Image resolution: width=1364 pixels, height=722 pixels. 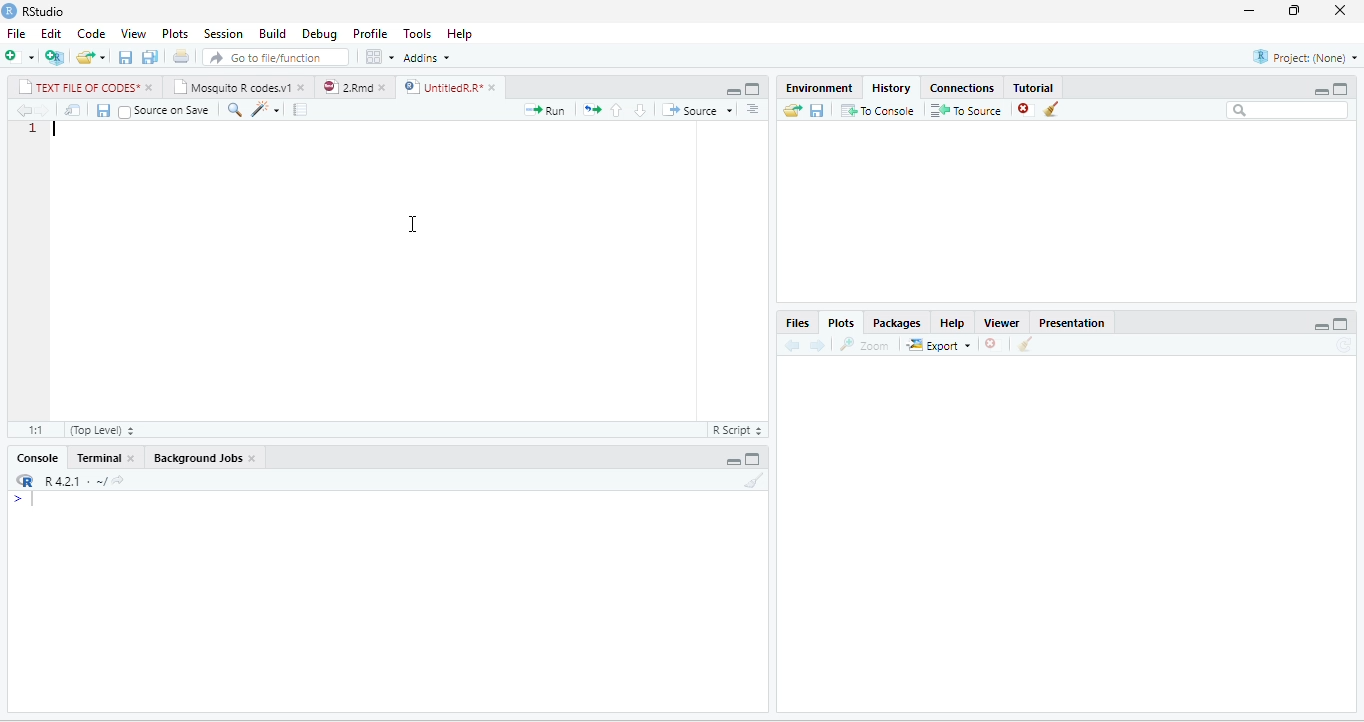 What do you see at coordinates (1001, 323) in the screenshot?
I see `Viewer` at bounding box center [1001, 323].